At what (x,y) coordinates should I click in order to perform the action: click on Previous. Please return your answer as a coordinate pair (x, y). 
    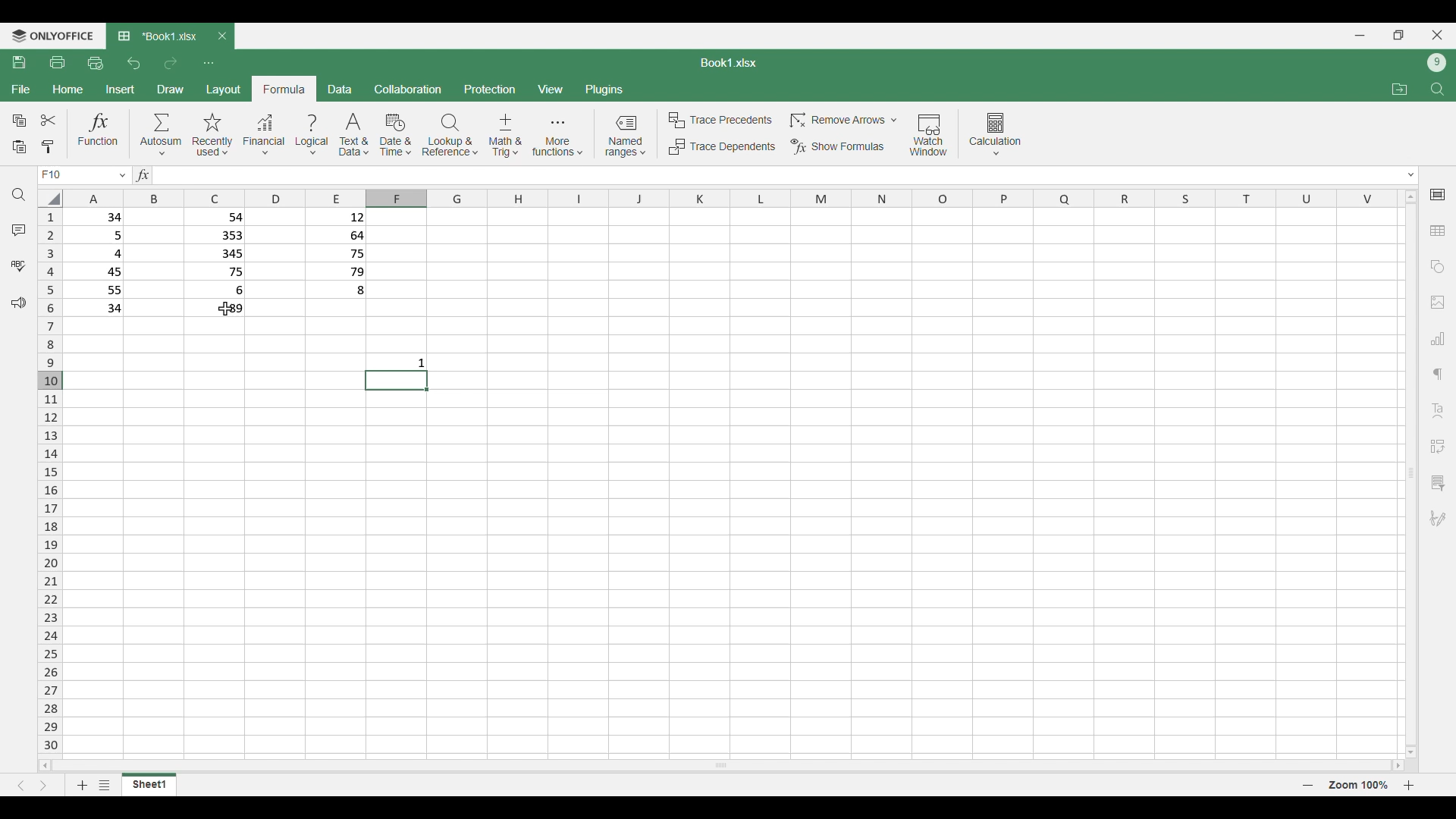
    Looking at the image, I should click on (20, 786).